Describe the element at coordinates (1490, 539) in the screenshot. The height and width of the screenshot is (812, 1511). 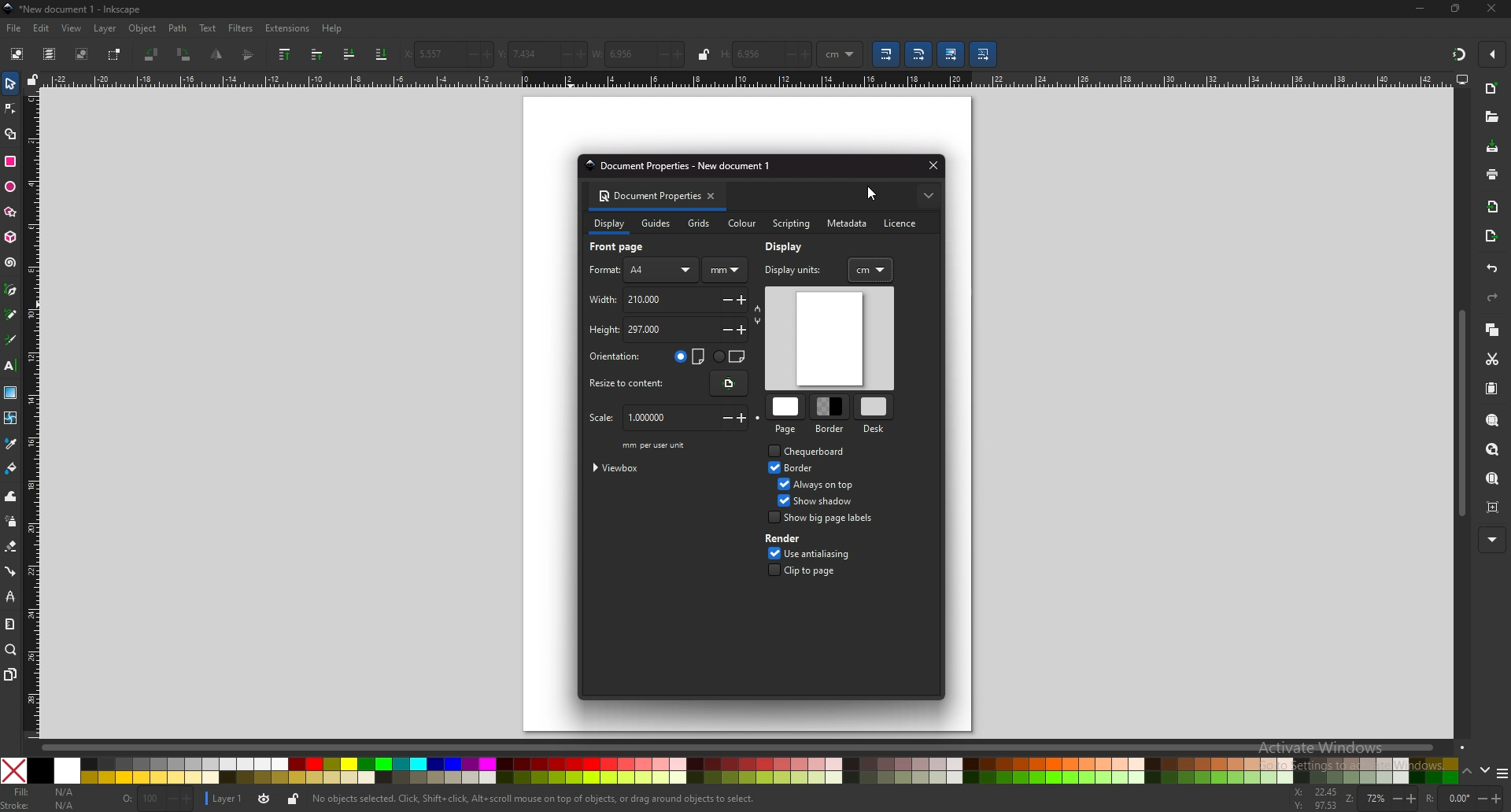
I see `more` at that location.